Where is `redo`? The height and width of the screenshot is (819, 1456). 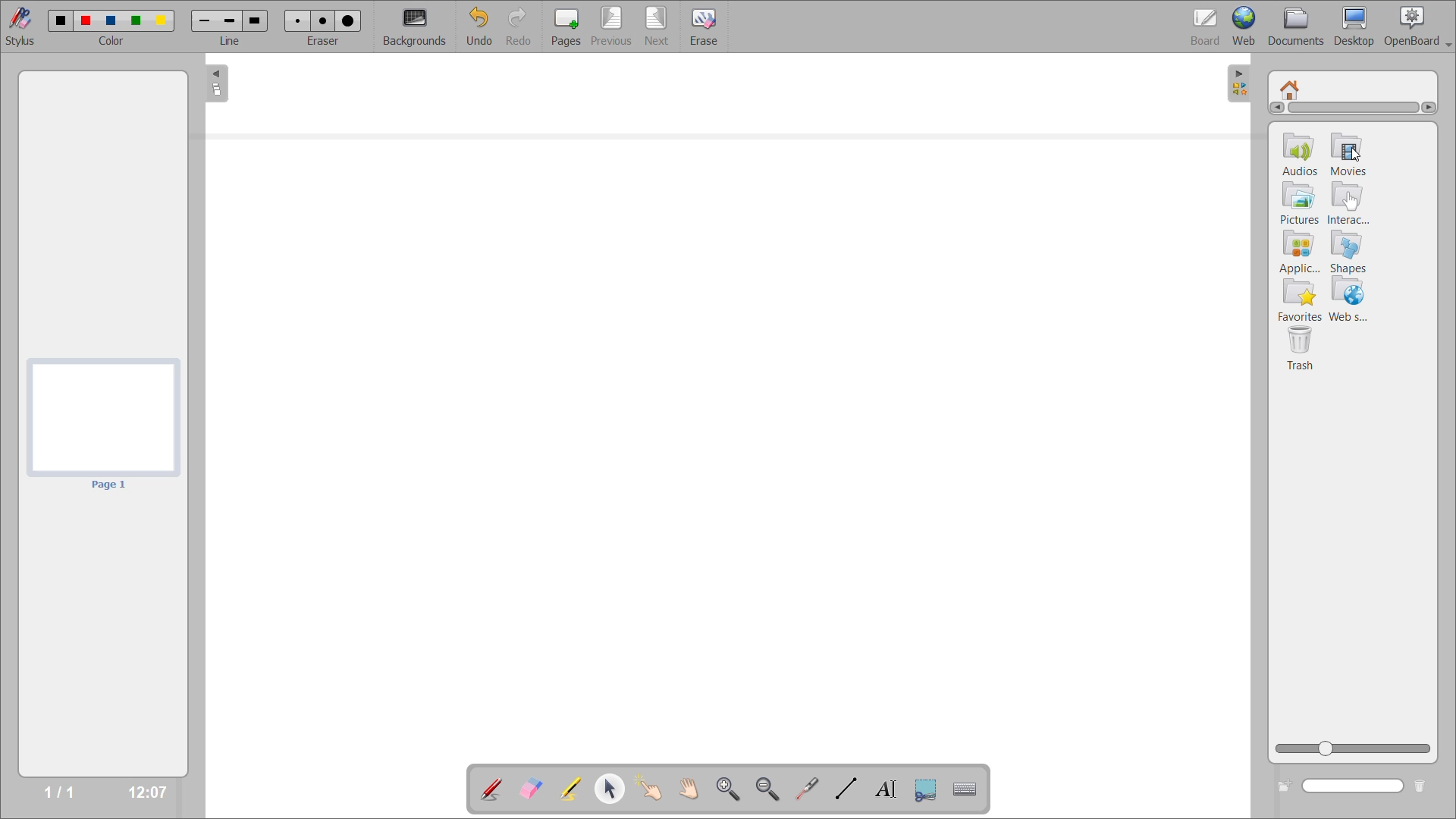
redo is located at coordinates (519, 27).